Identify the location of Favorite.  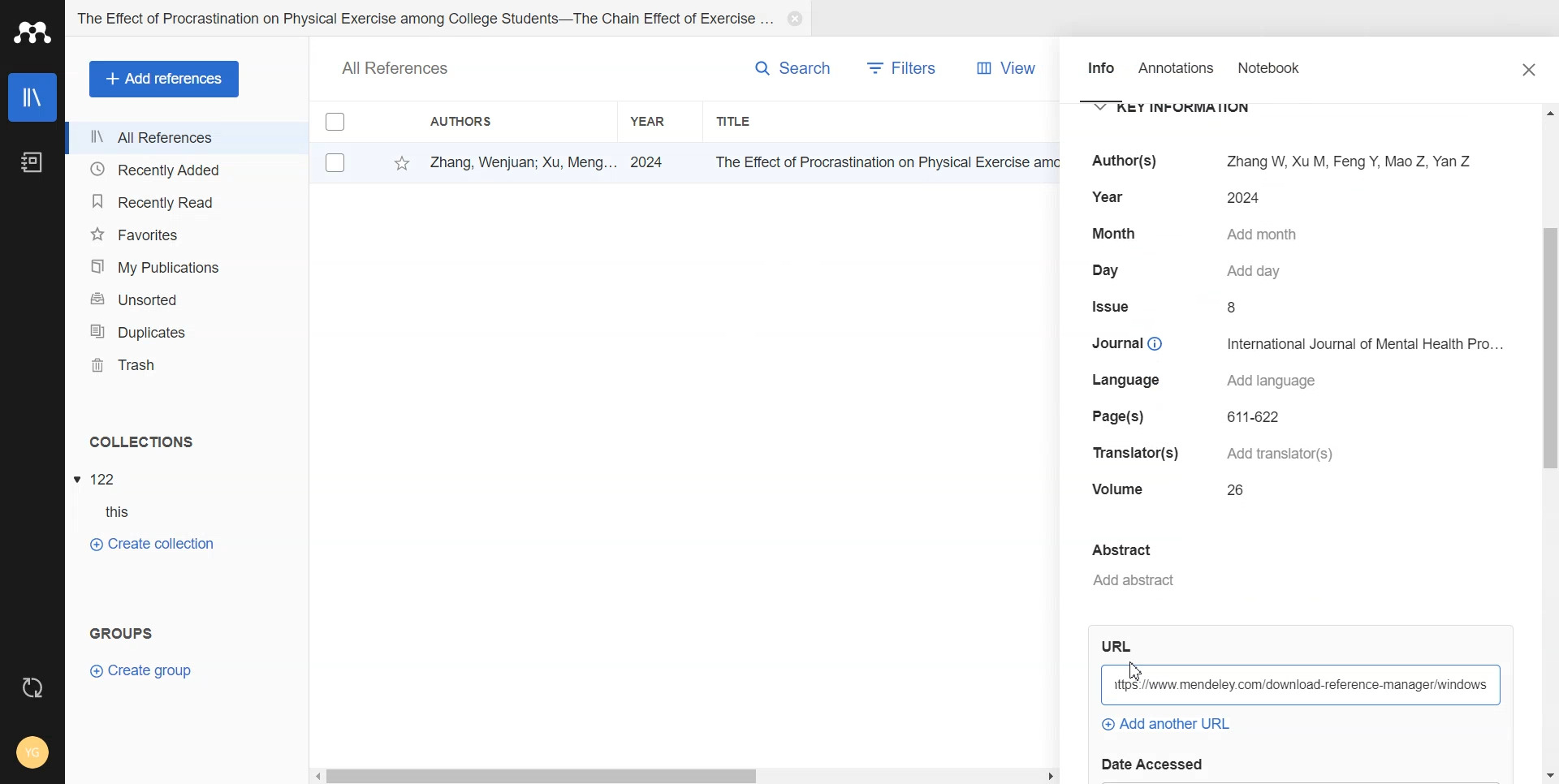
(396, 163).